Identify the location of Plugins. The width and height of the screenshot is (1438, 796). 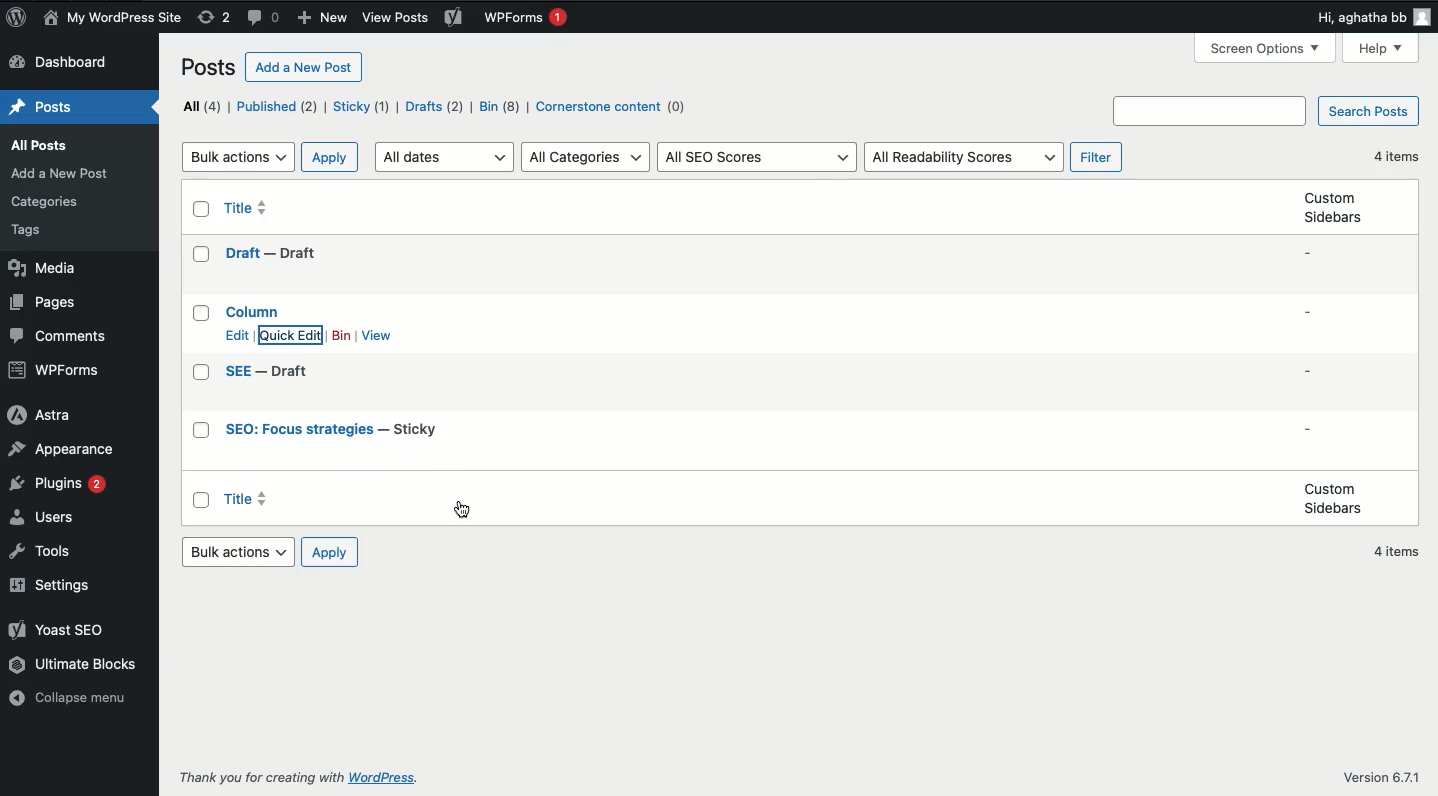
(59, 488).